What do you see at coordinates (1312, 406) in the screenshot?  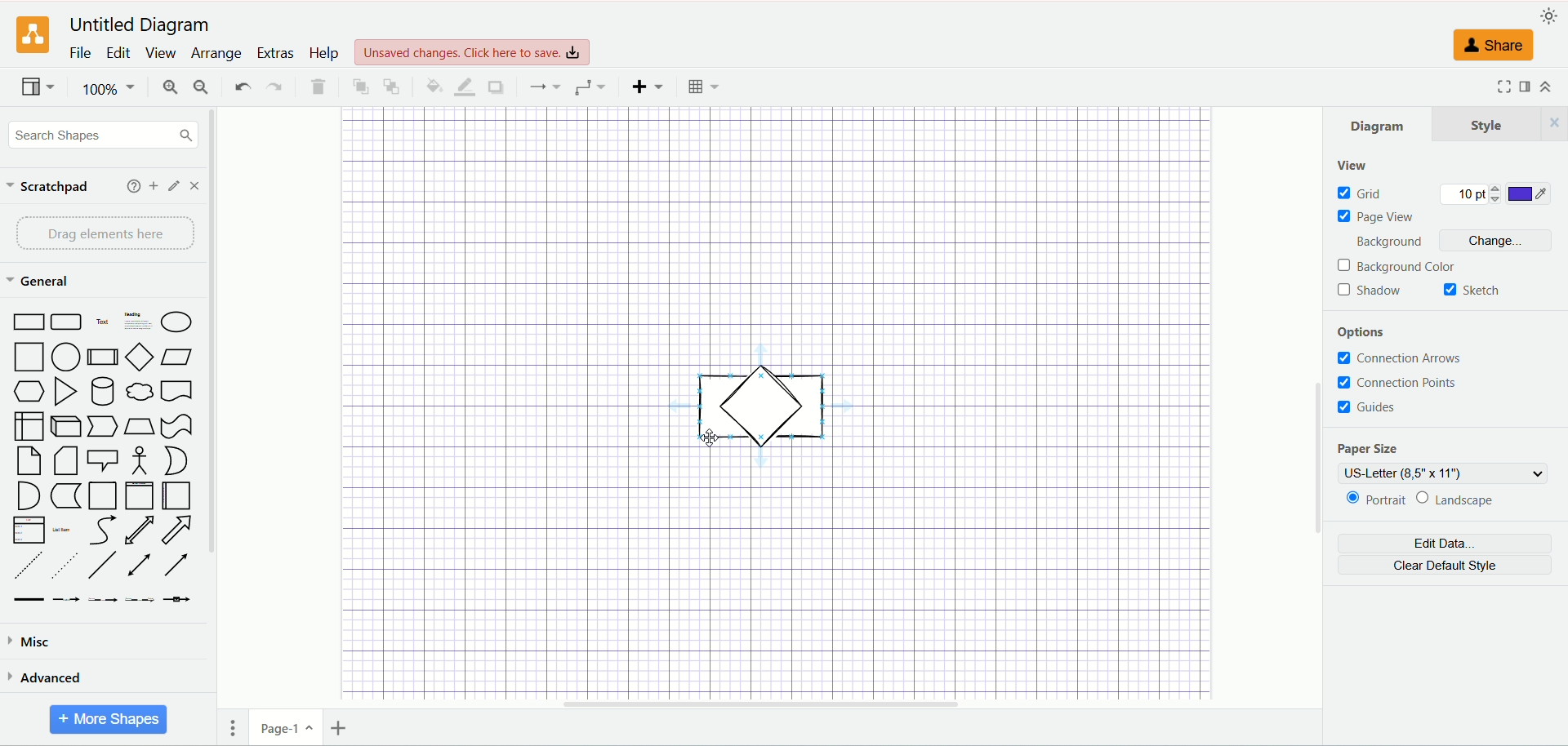 I see `vertical scroll bar` at bounding box center [1312, 406].